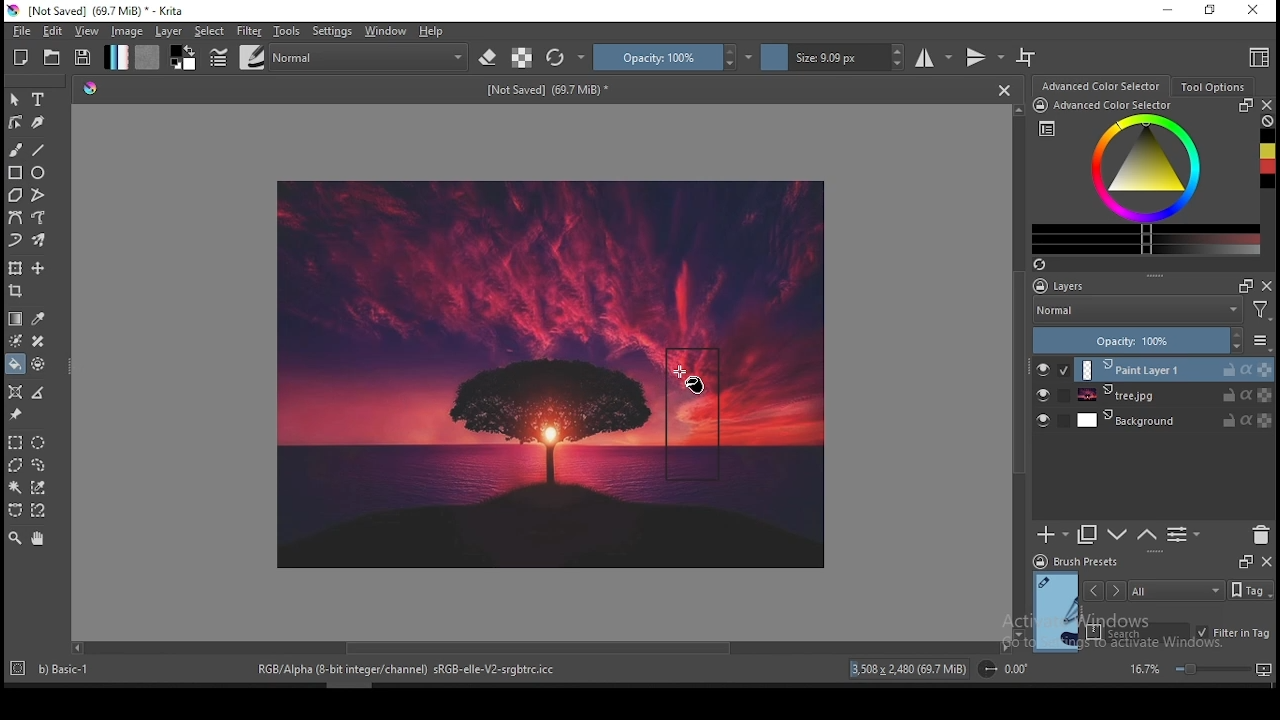  What do you see at coordinates (1175, 421) in the screenshot?
I see `layer` at bounding box center [1175, 421].